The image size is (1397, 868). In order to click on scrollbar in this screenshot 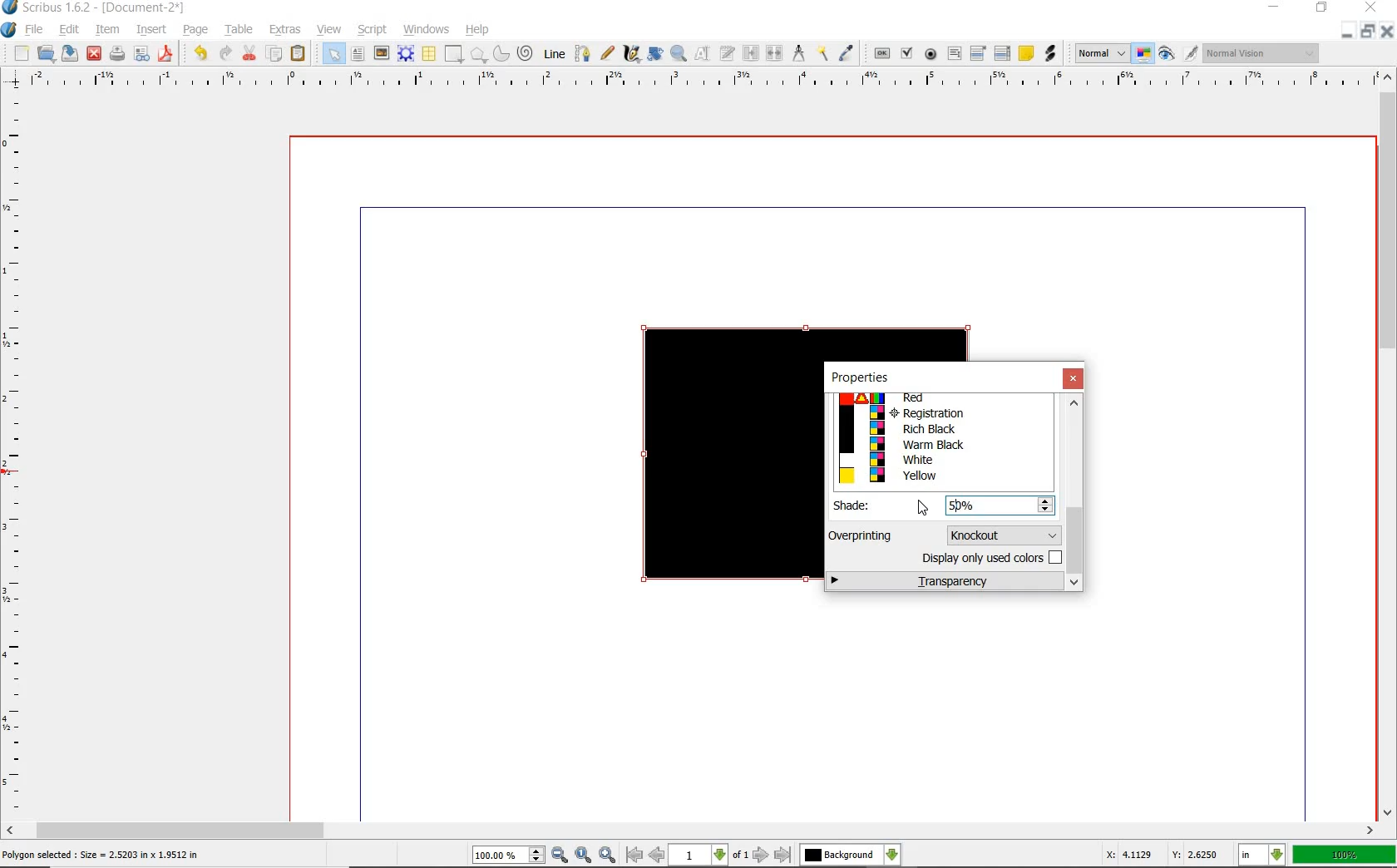, I will do `click(691, 831)`.